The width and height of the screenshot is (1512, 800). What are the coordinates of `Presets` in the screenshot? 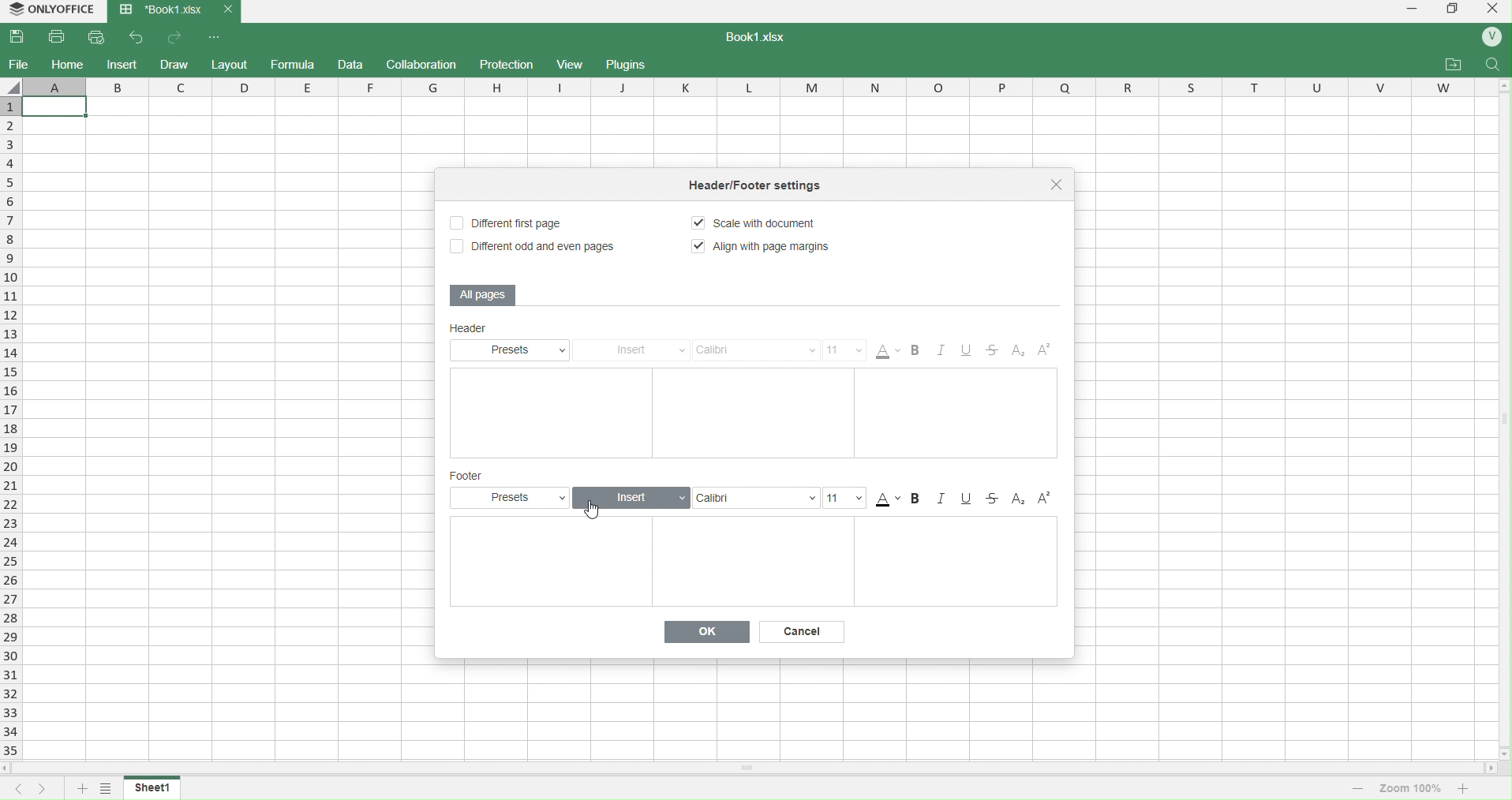 It's located at (515, 350).